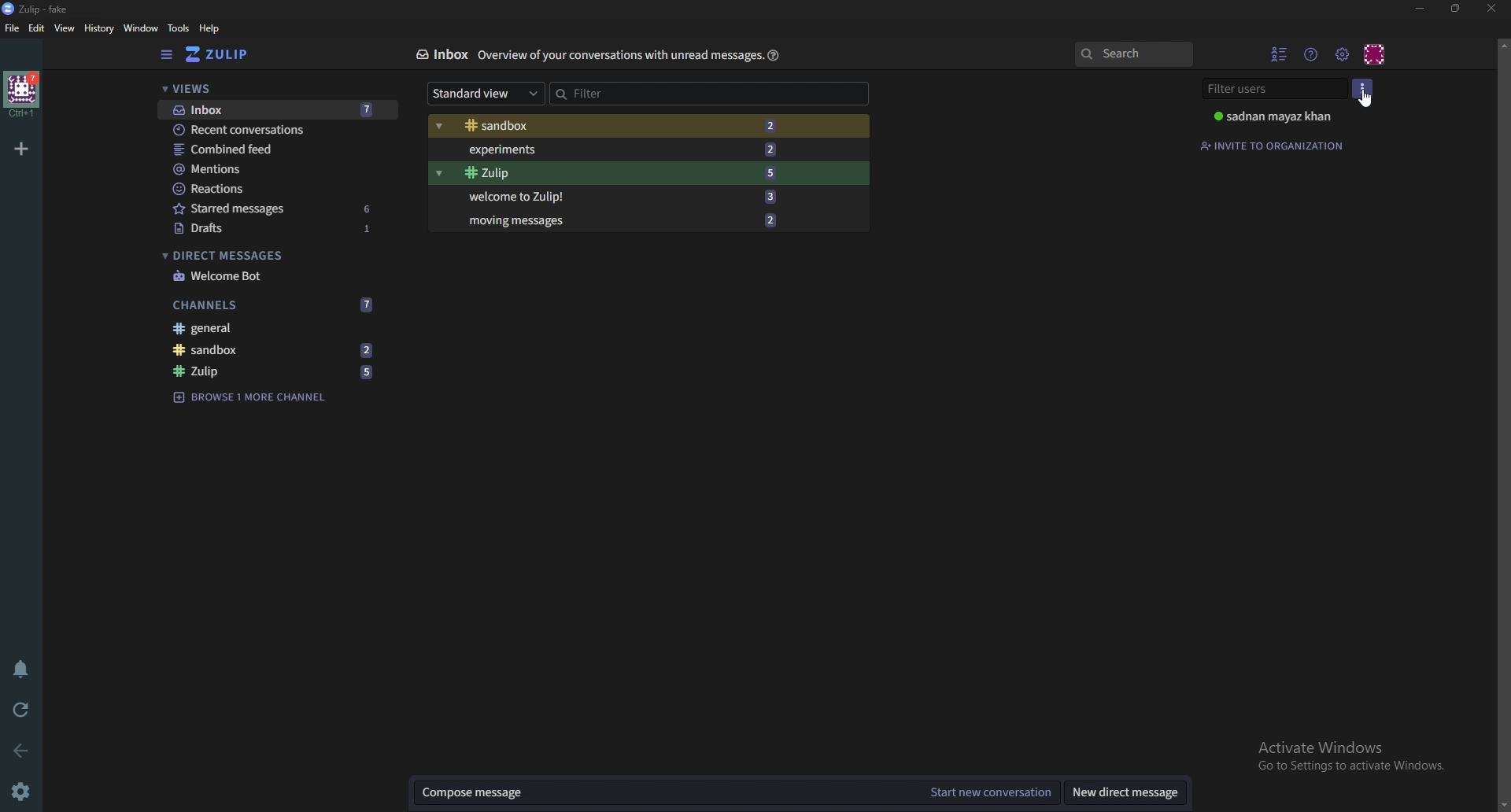  What do you see at coordinates (1457, 9) in the screenshot?
I see `resize` at bounding box center [1457, 9].